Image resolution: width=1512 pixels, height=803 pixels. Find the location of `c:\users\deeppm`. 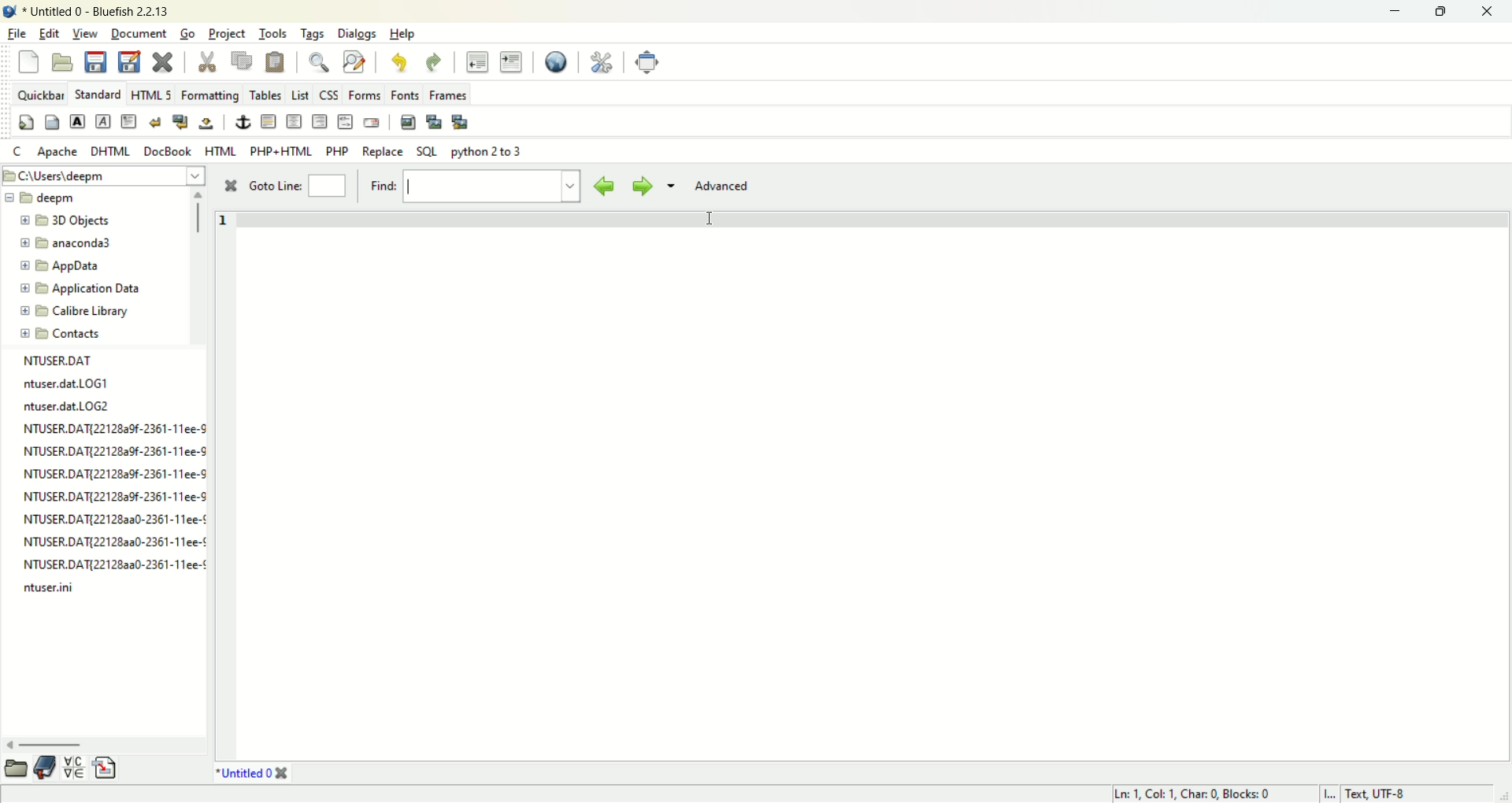

c:\users\deeppm is located at coordinates (76, 177).